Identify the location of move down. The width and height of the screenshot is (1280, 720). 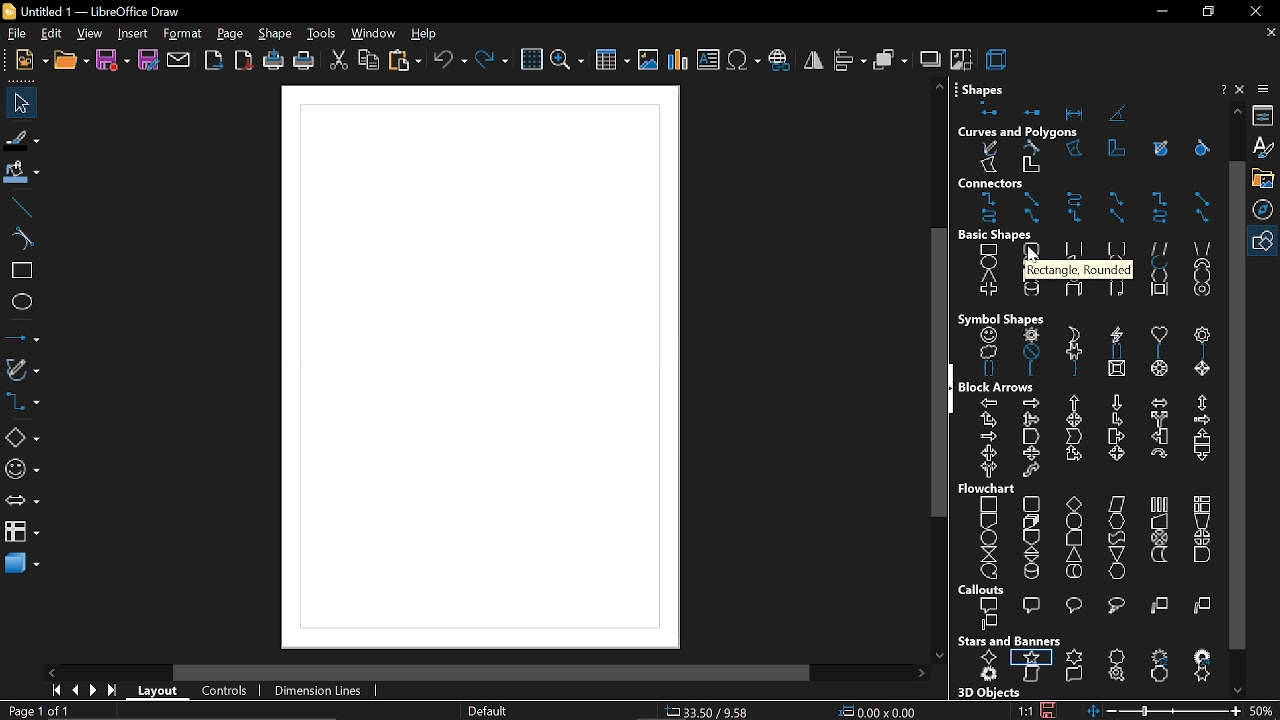
(1241, 689).